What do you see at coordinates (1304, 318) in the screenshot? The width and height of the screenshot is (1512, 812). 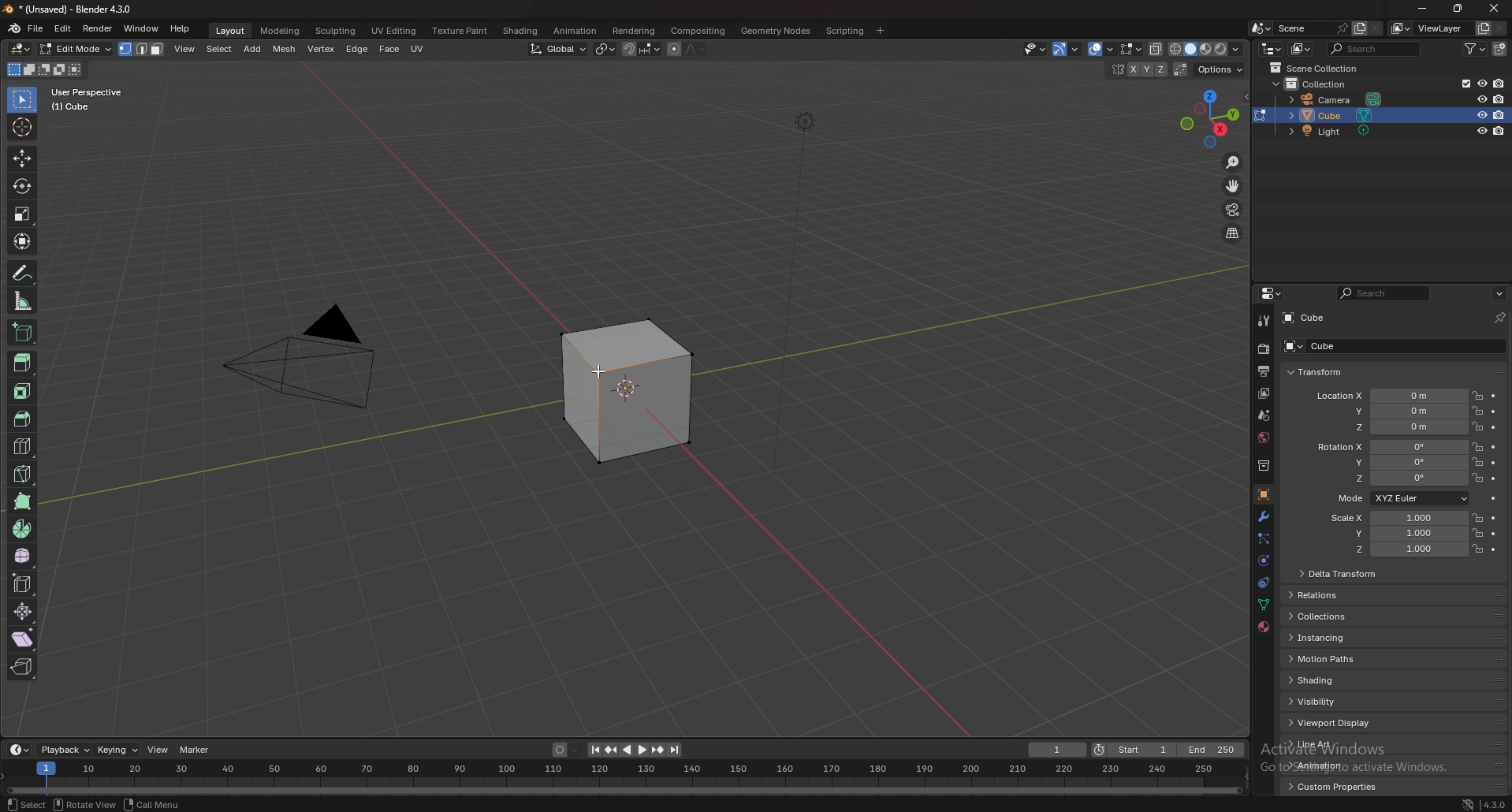 I see `cube` at bounding box center [1304, 318].